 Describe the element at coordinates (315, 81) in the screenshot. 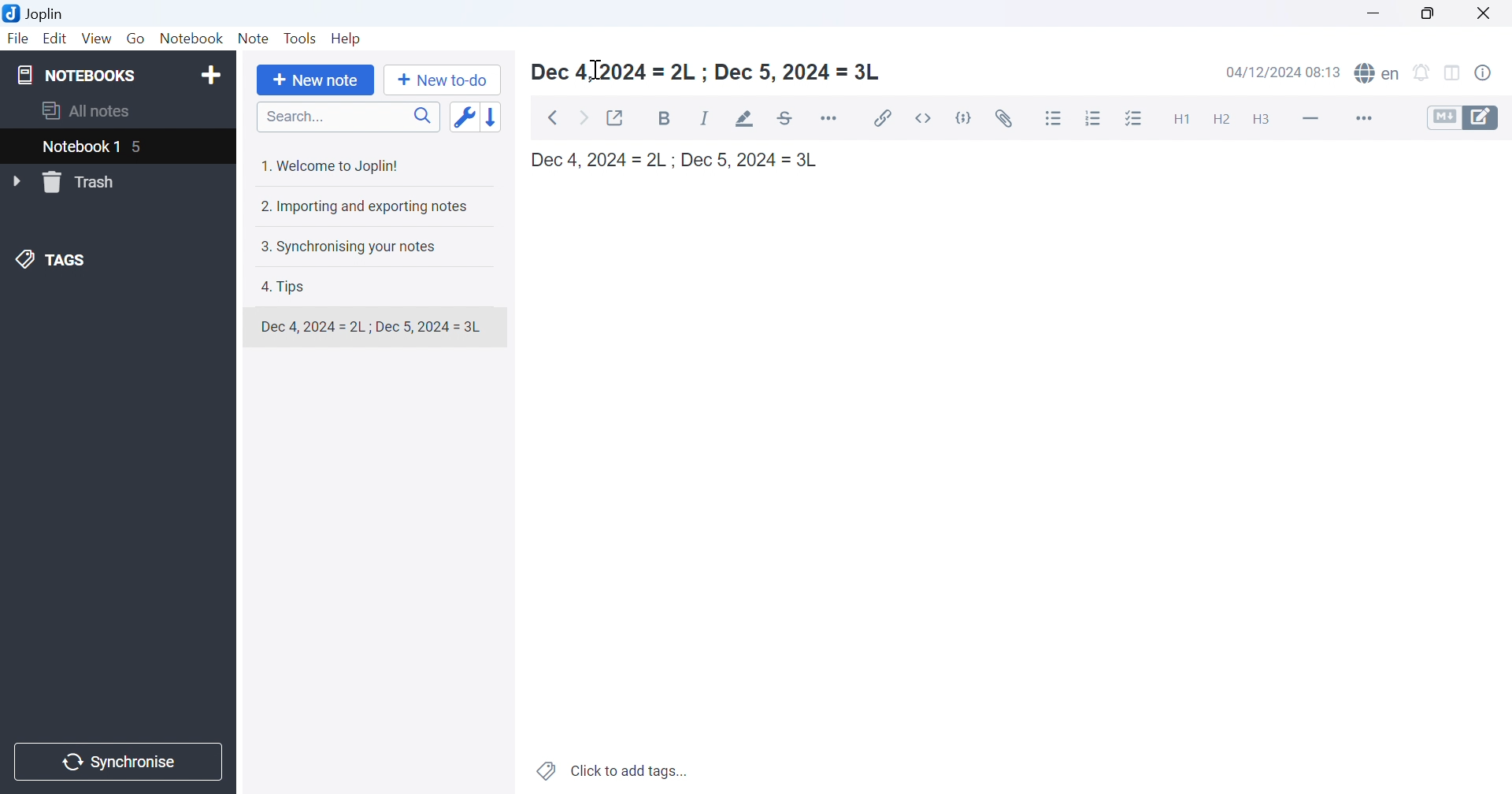

I see `New note` at that location.